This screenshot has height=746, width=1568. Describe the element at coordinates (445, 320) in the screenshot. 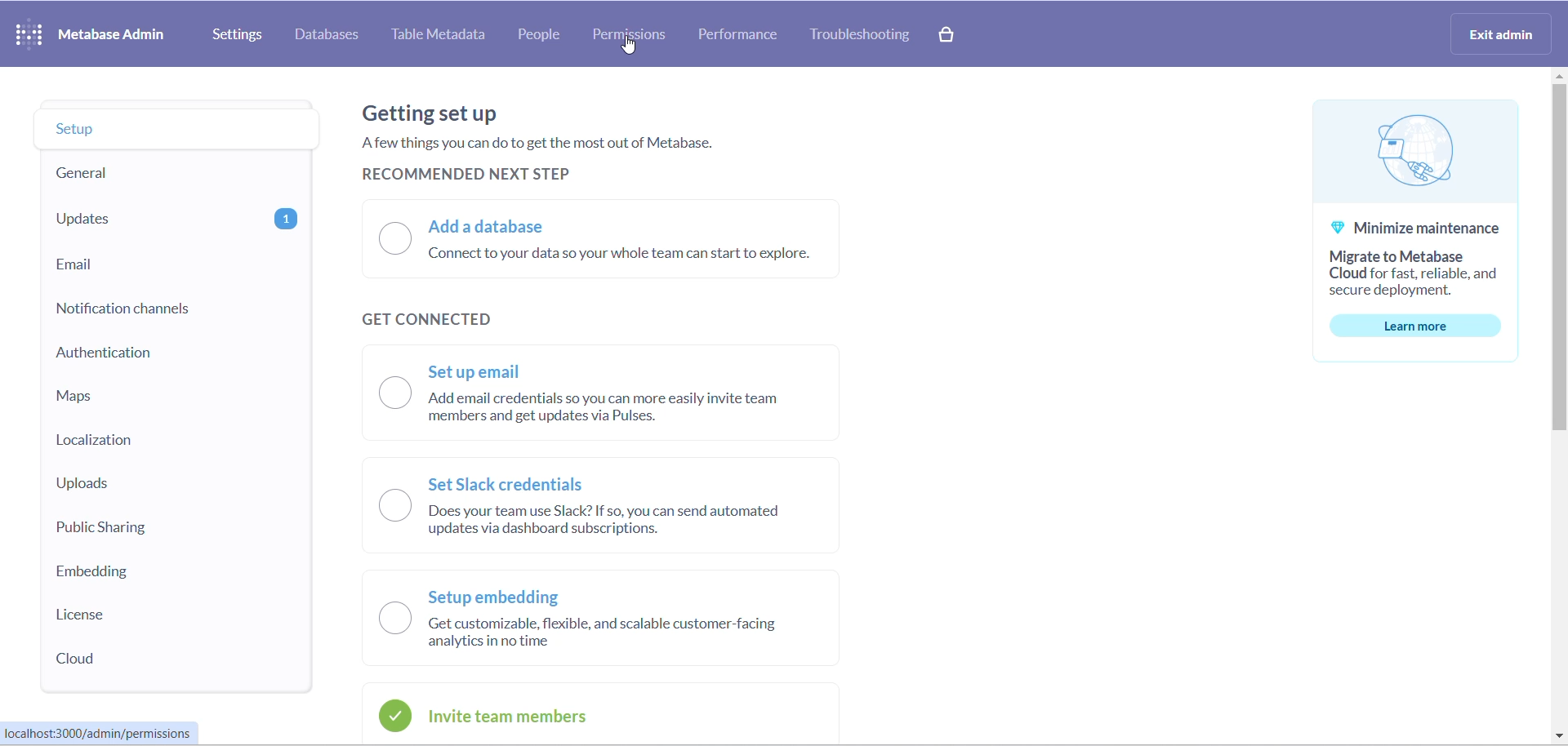

I see `get connected text` at that location.